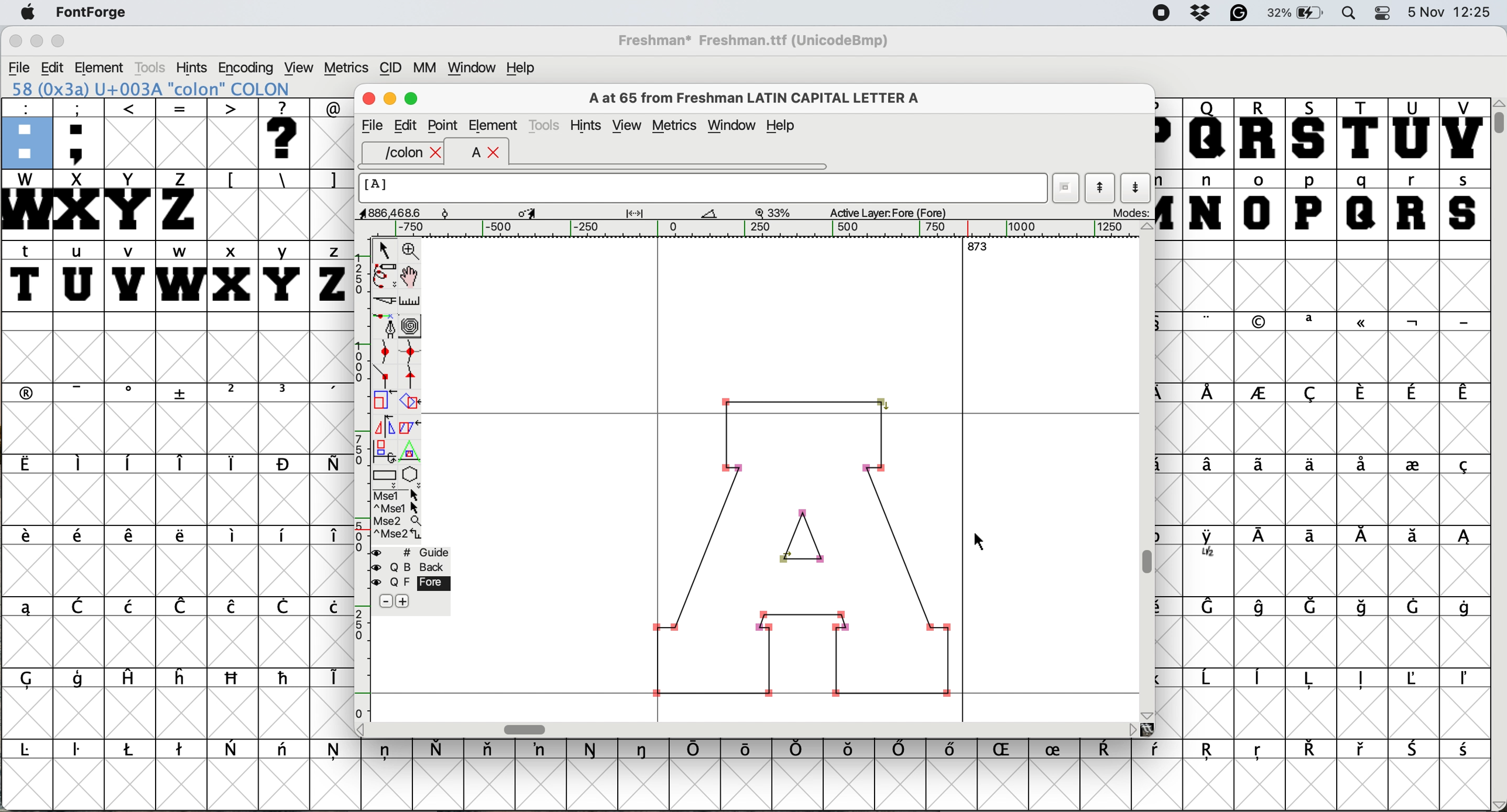 The width and height of the screenshot is (1507, 812). Describe the element at coordinates (1097, 184) in the screenshot. I see `show previous character` at that location.